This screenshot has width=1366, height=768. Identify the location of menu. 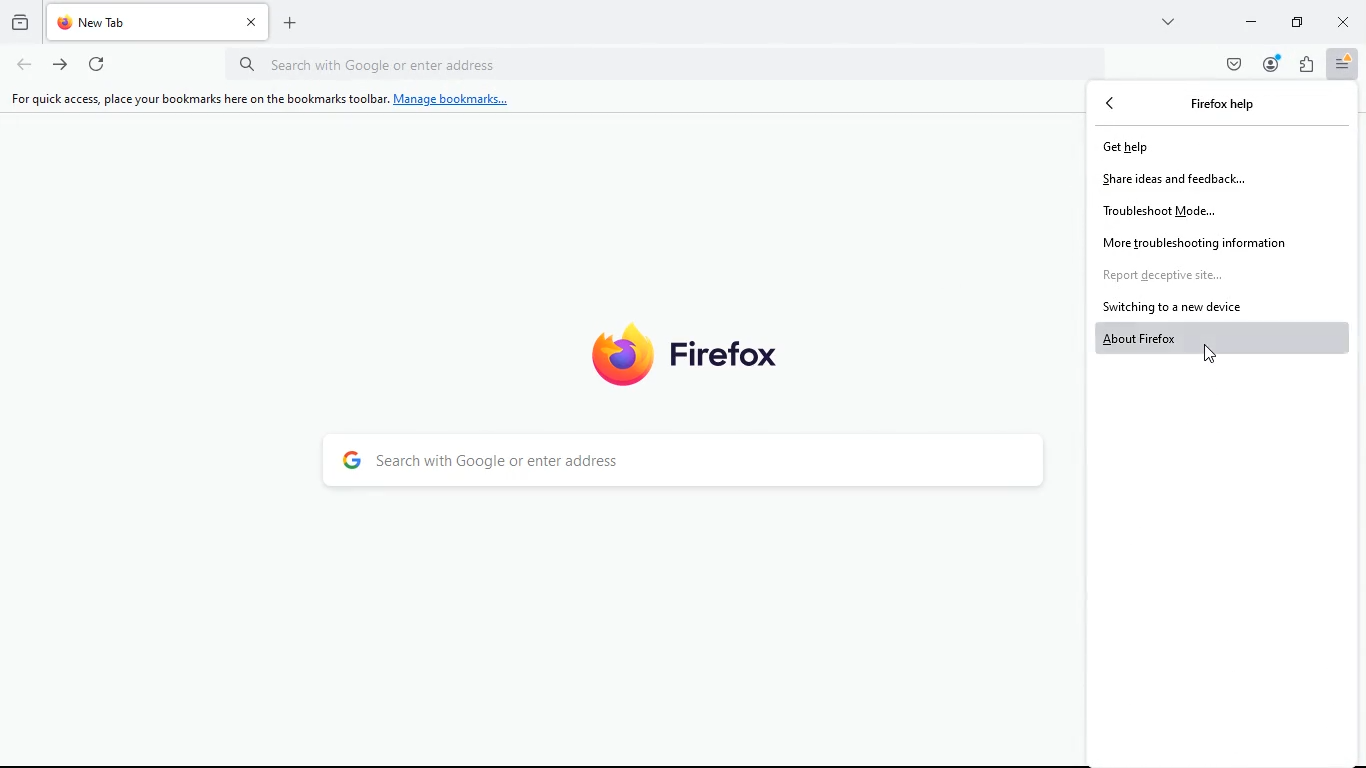
(1344, 65).